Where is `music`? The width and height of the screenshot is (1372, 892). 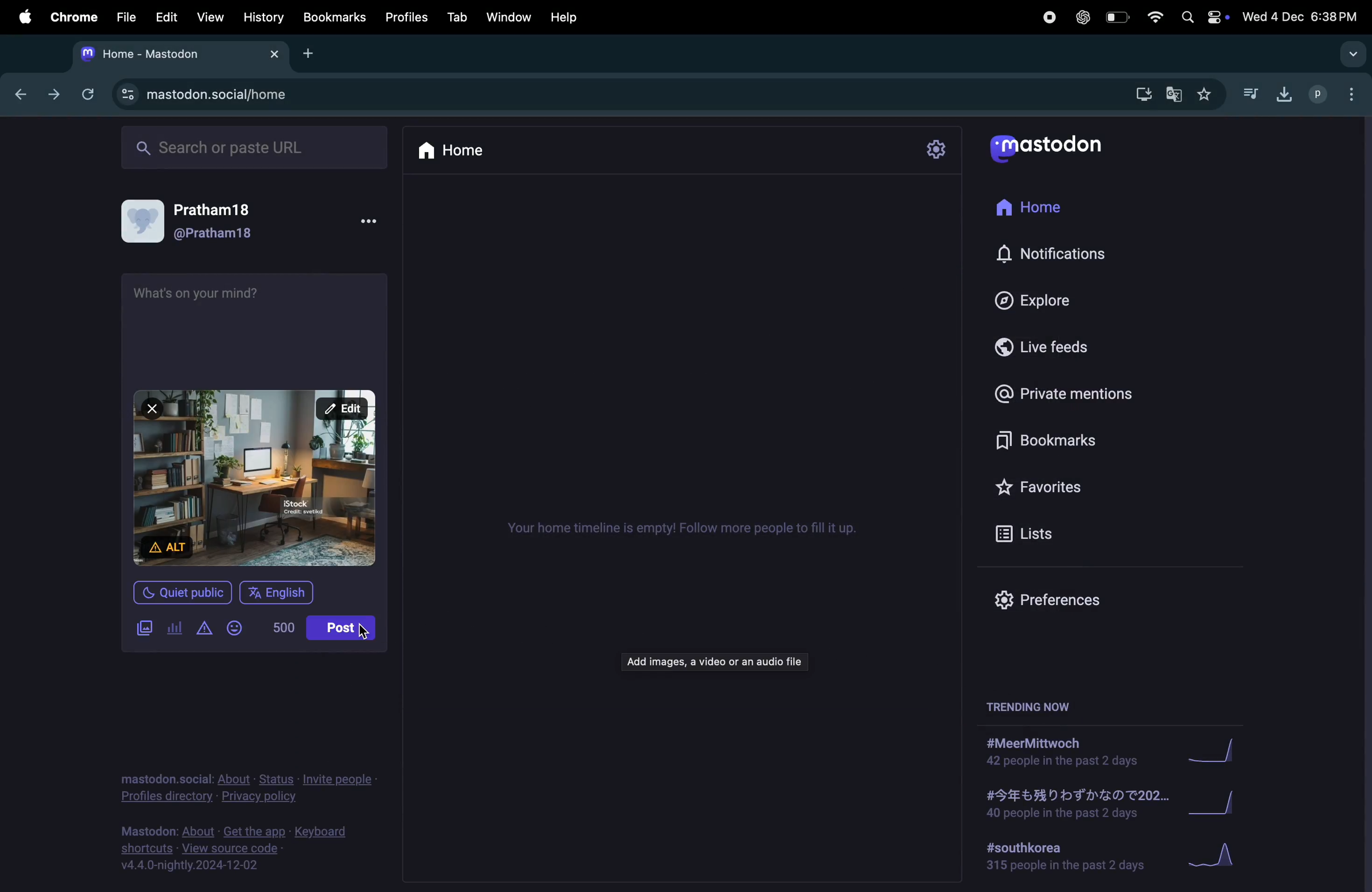 music is located at coordinates (1252, 95).